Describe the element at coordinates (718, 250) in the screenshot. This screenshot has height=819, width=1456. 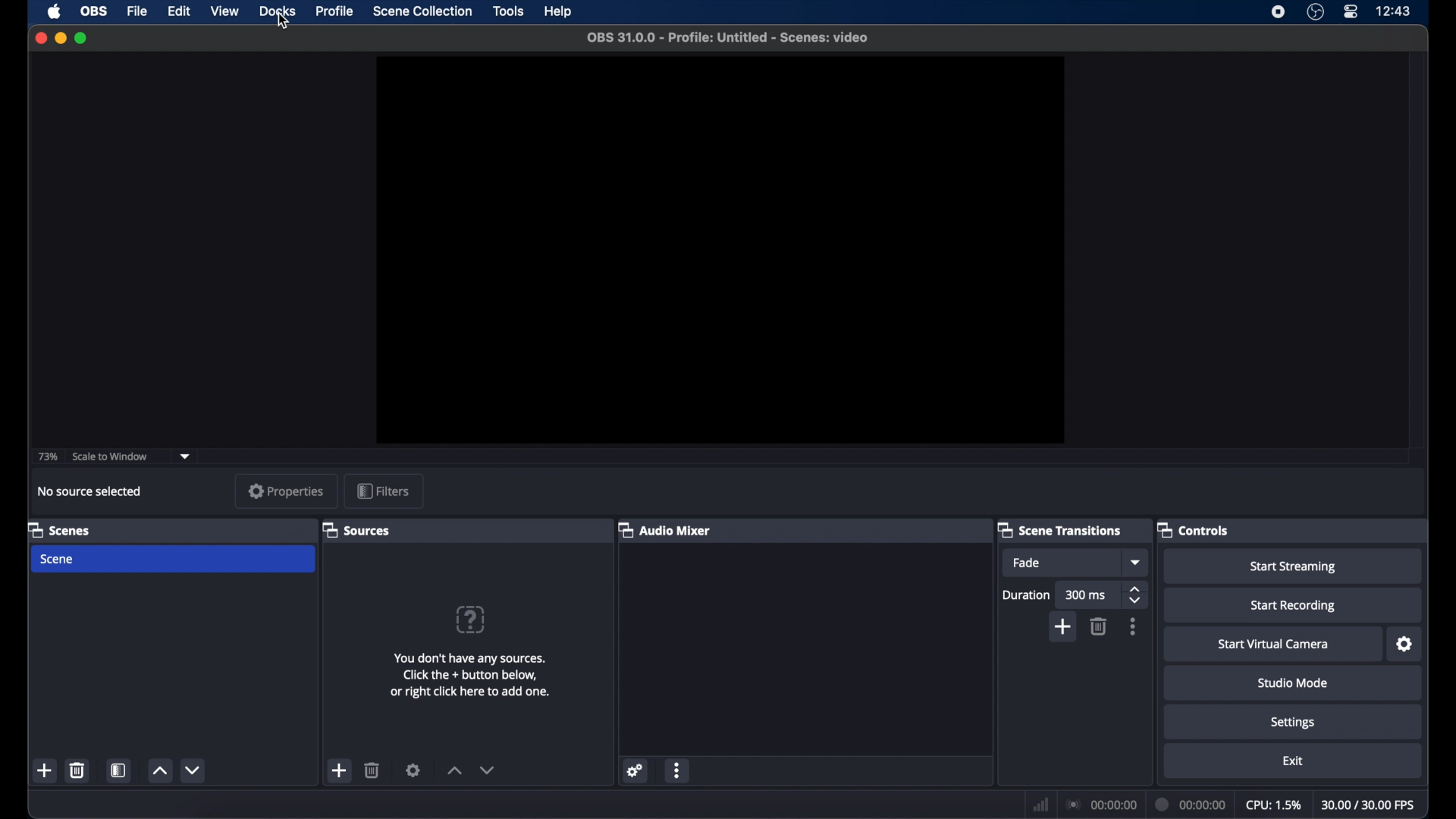
I see `preview` at that location.